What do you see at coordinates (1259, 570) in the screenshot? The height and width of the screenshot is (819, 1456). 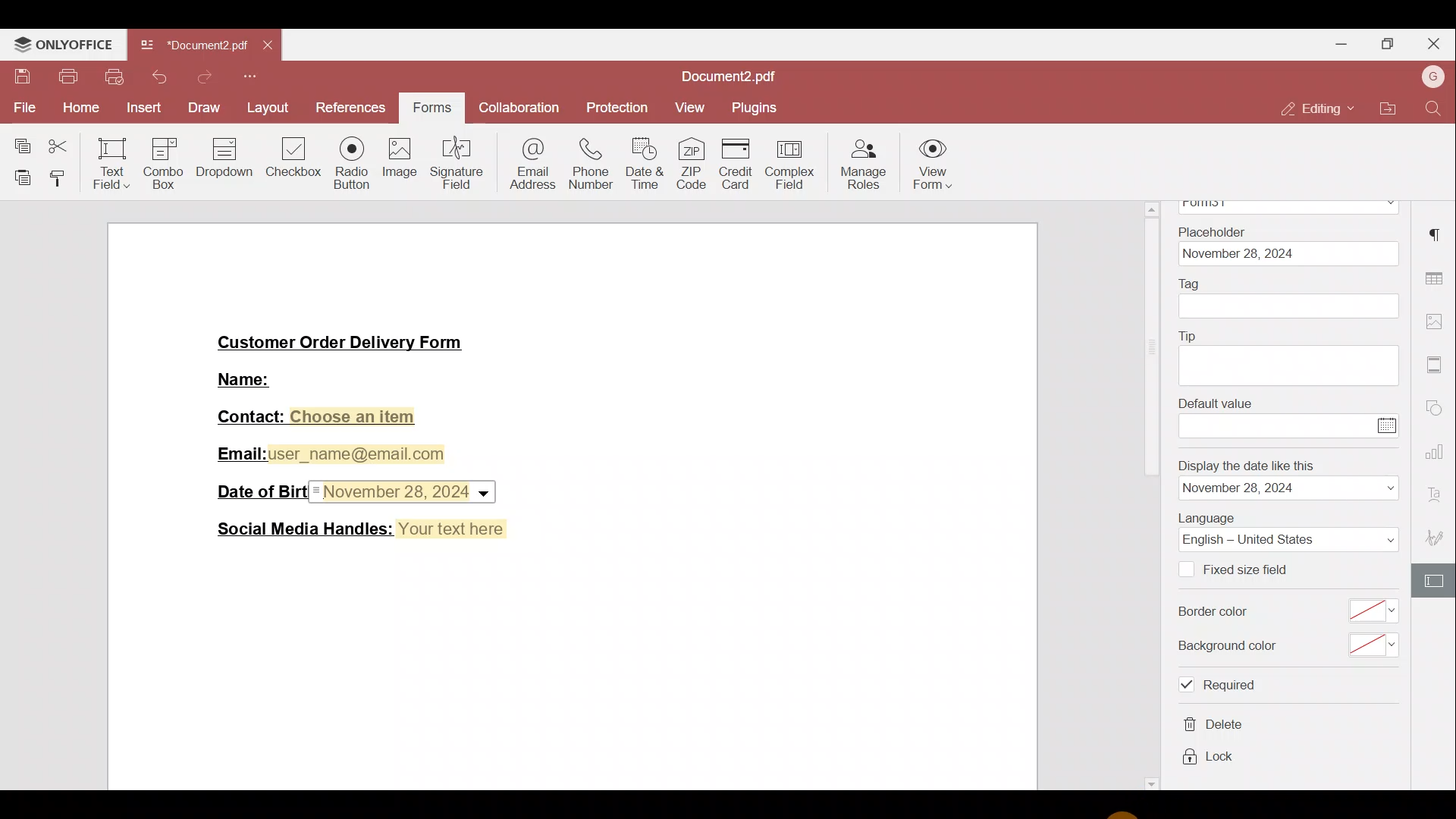 I see `Fixed size field` at bounding box center [1259, 570].